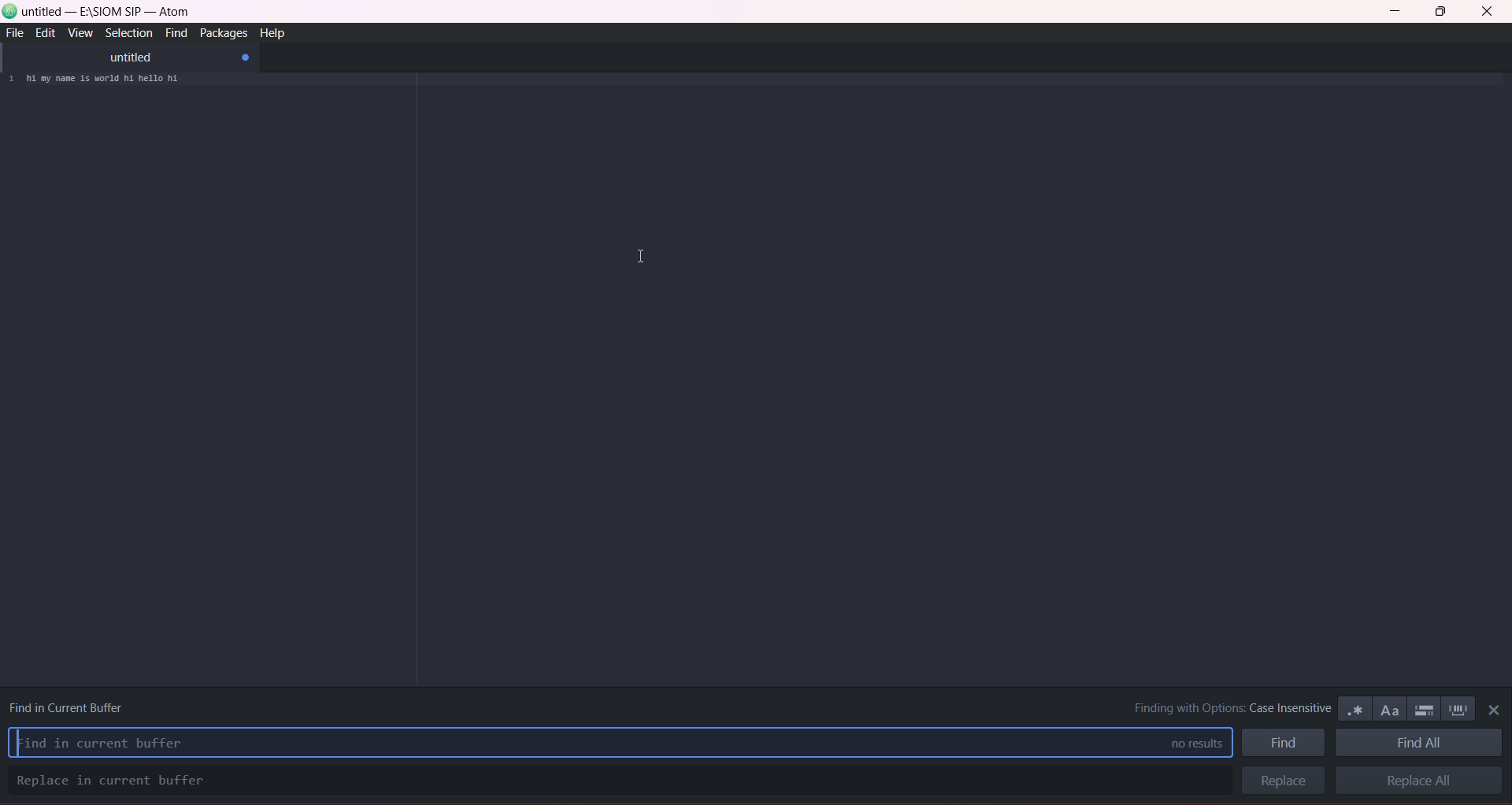  I want to click on close panel, so click(1491, 712).